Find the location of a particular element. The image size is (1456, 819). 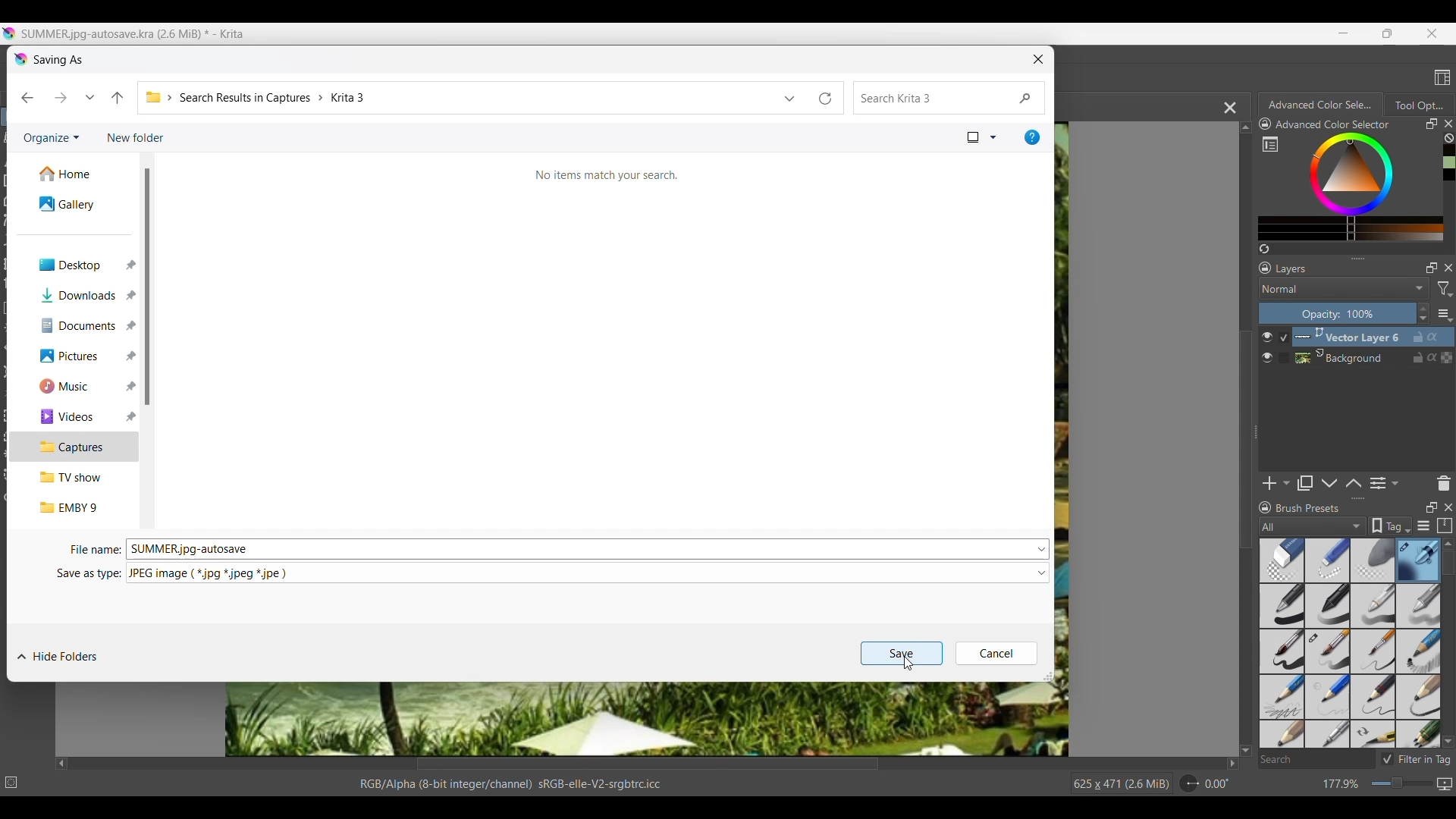

Current rotation of image is located at coordinates (1217, 784).